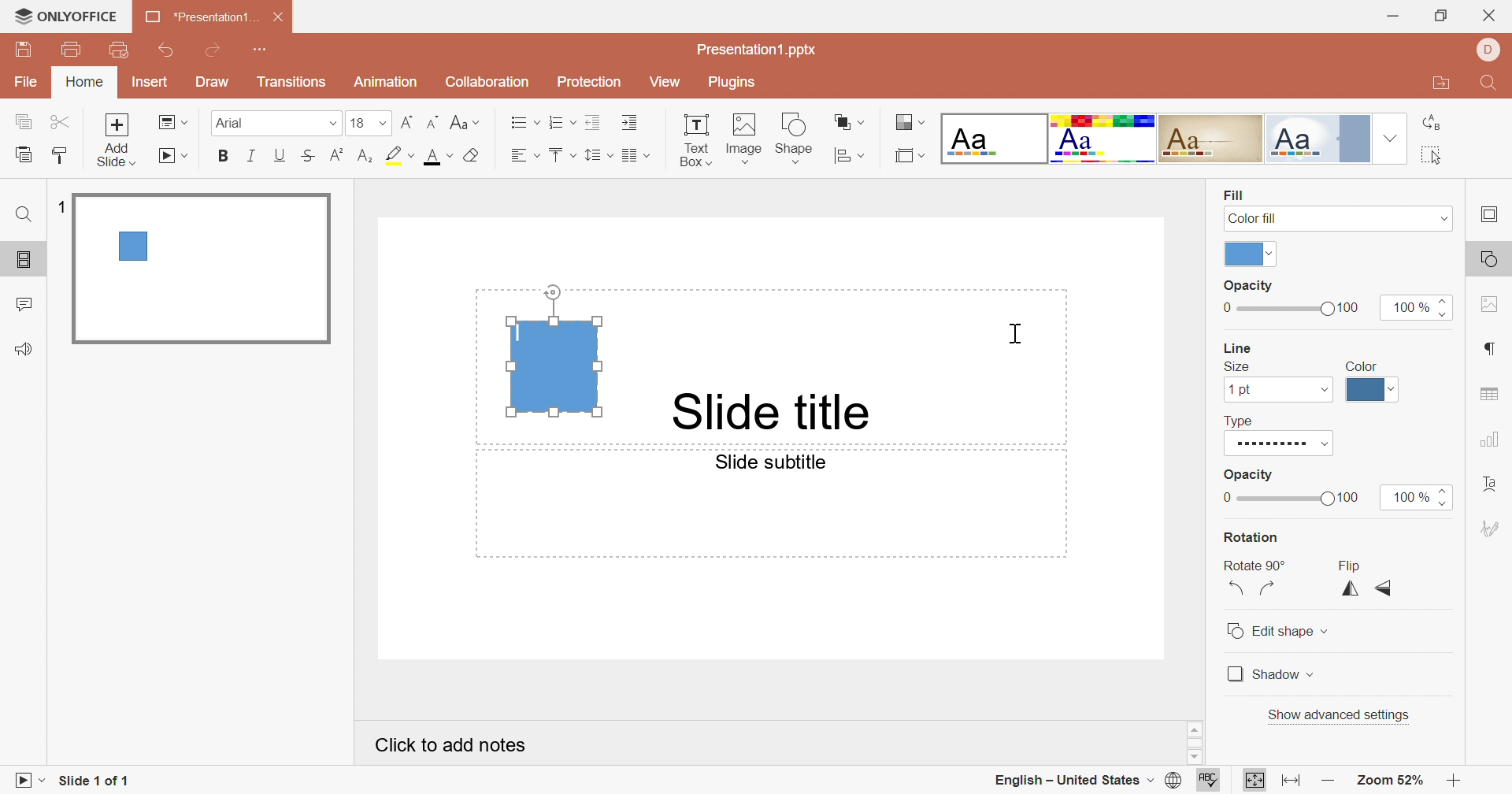 The height and width of the screenshot is (794, 1512). I want to click on Save, so click(24, 51).